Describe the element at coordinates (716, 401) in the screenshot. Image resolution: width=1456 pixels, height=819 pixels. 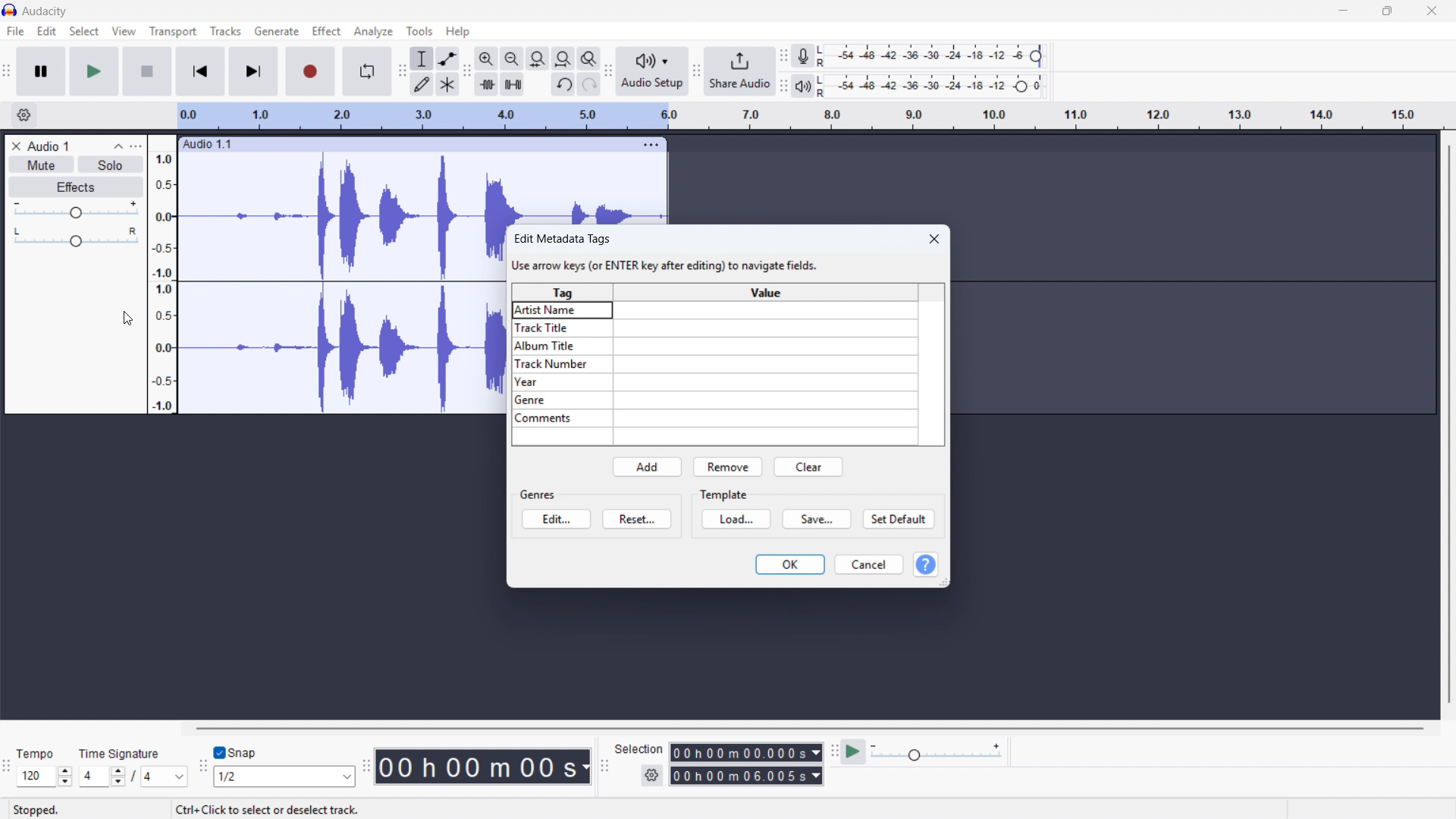
I see `genre` at that location.